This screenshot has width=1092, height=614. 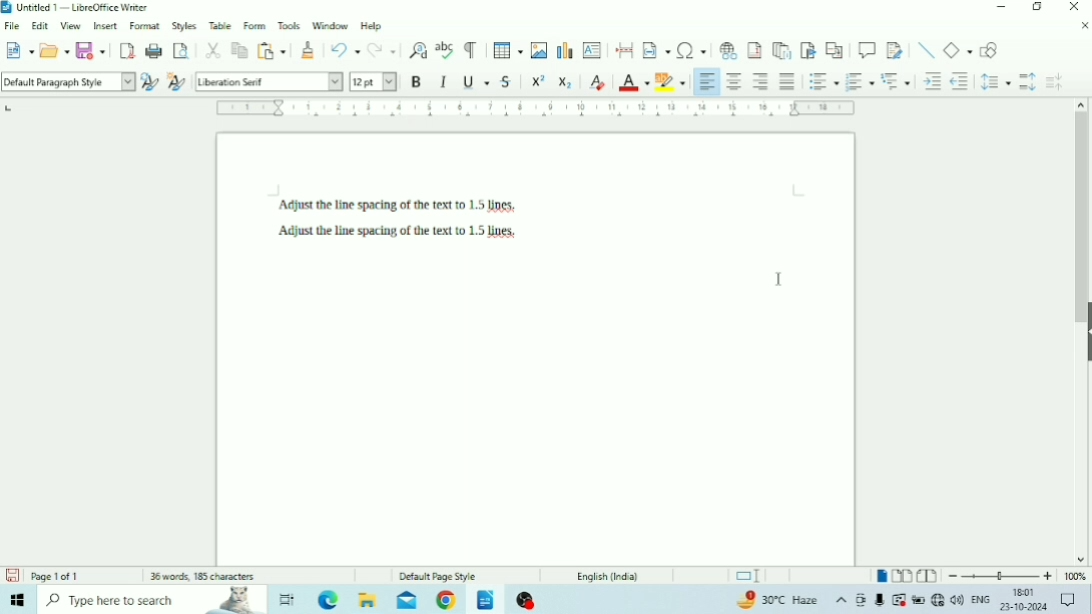 I want to click on Notifications, so click(x=1067, y=598).